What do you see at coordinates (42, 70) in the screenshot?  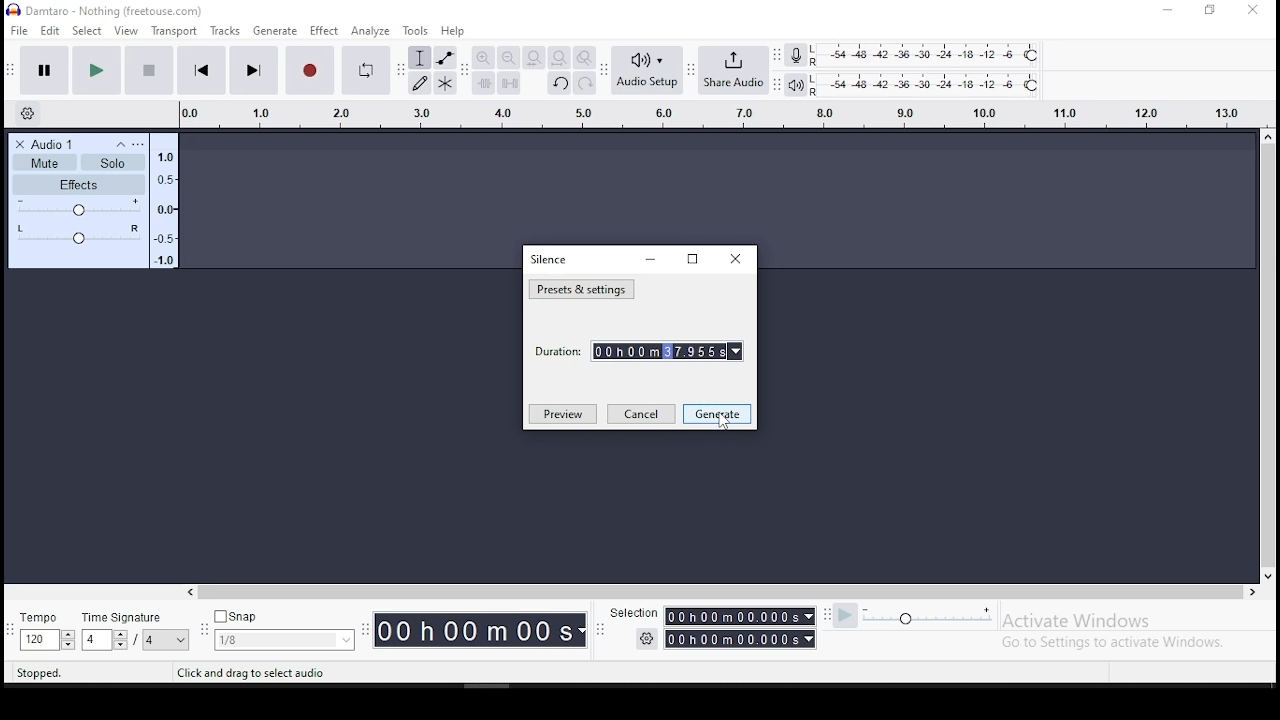 I see `pause` at bounding box center [42, 70].